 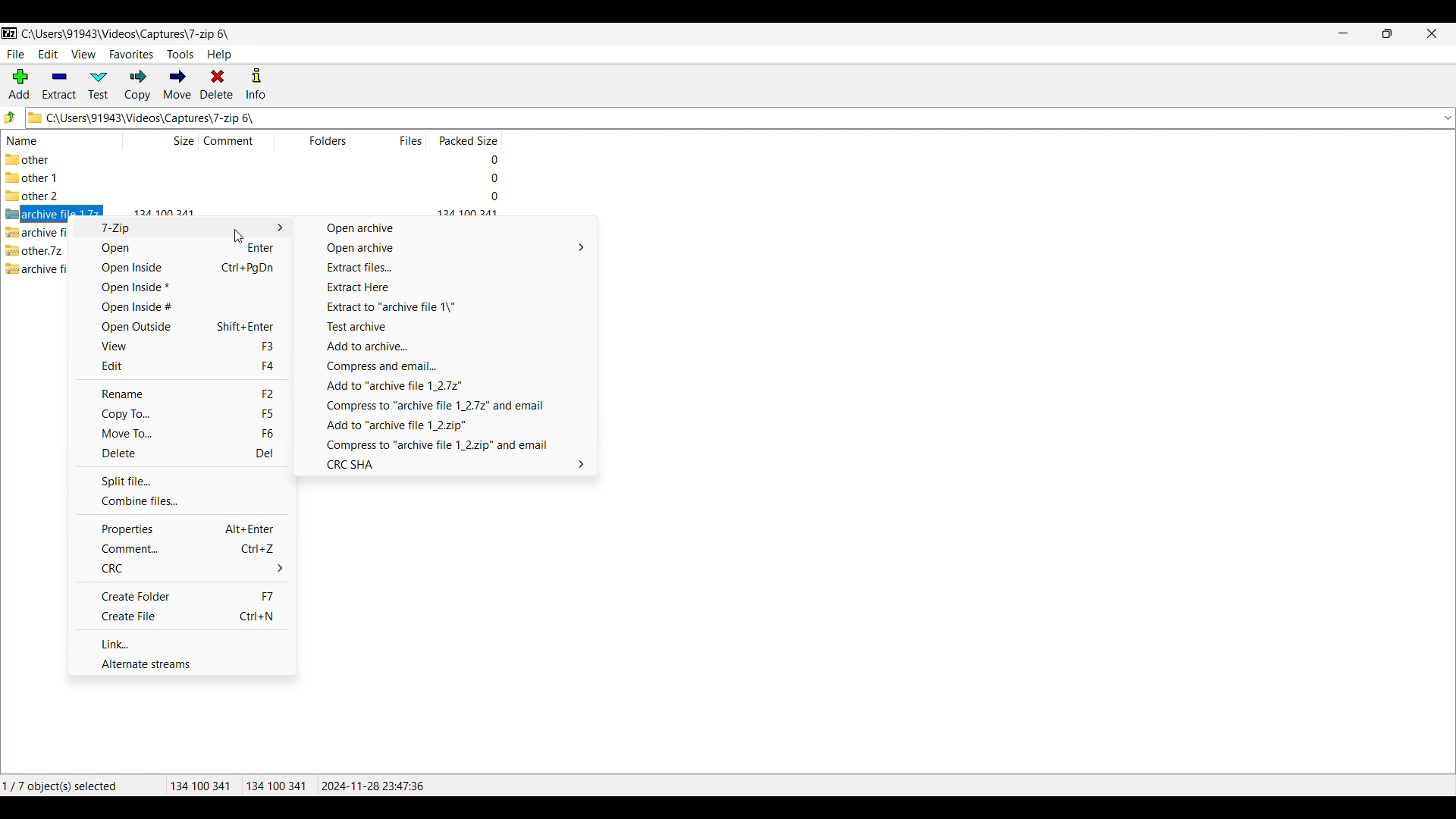 I want to click on C:\Users\91943\Videos\Captures\7-zip 6\, so click(x=119, y=34).